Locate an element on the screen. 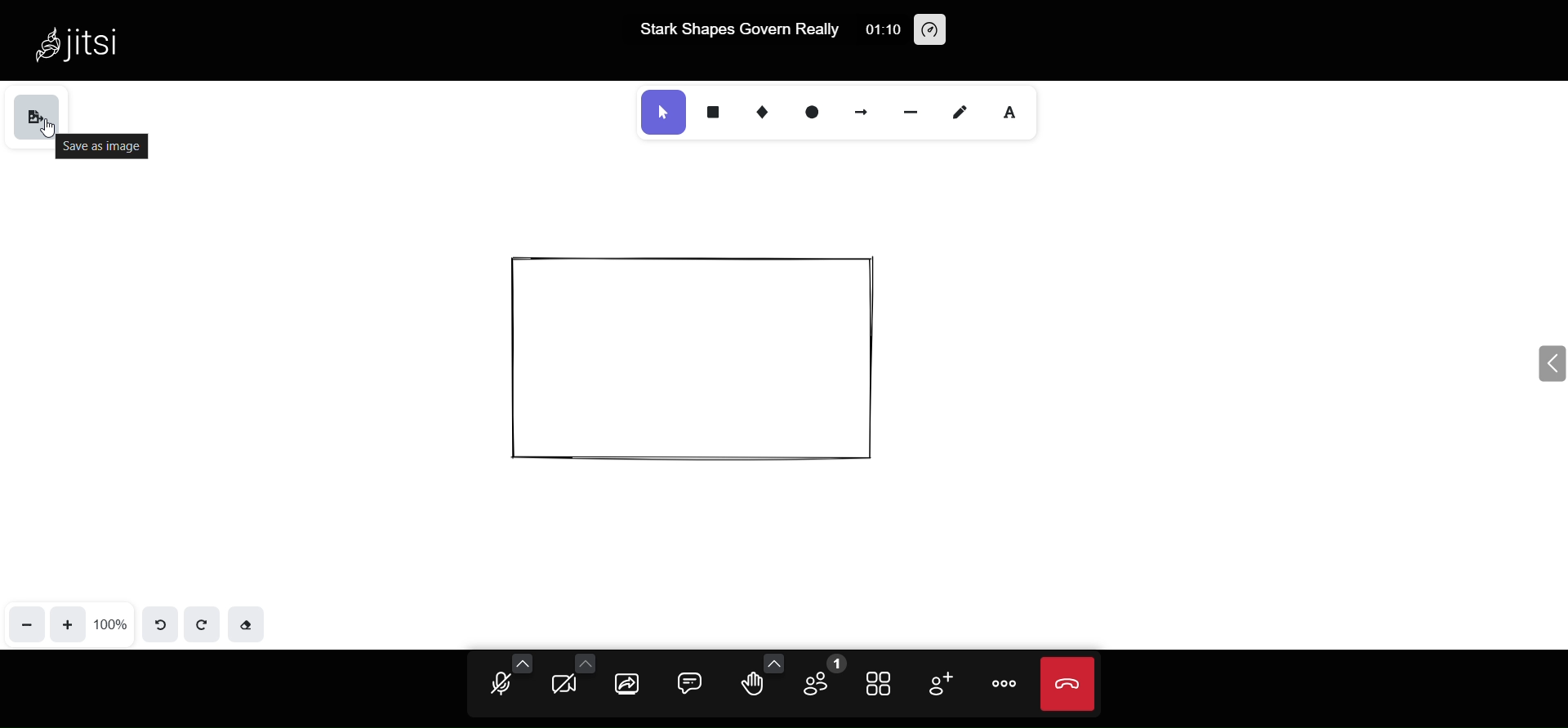 This screenshot has width=1568, height=728. redo is located at coordinates (204, 626).